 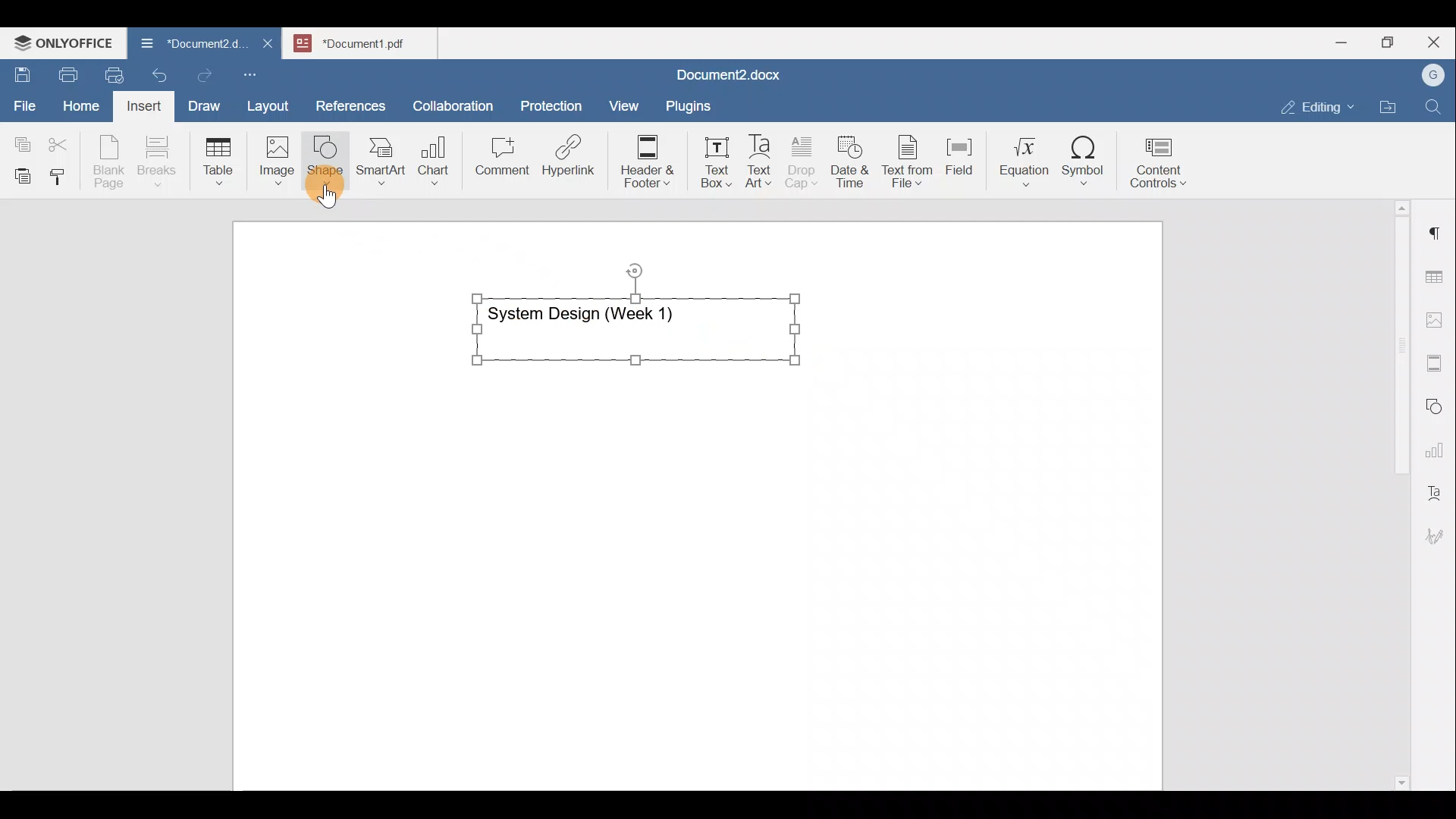 I want to click on Copy style, so click(x=63, y=173).